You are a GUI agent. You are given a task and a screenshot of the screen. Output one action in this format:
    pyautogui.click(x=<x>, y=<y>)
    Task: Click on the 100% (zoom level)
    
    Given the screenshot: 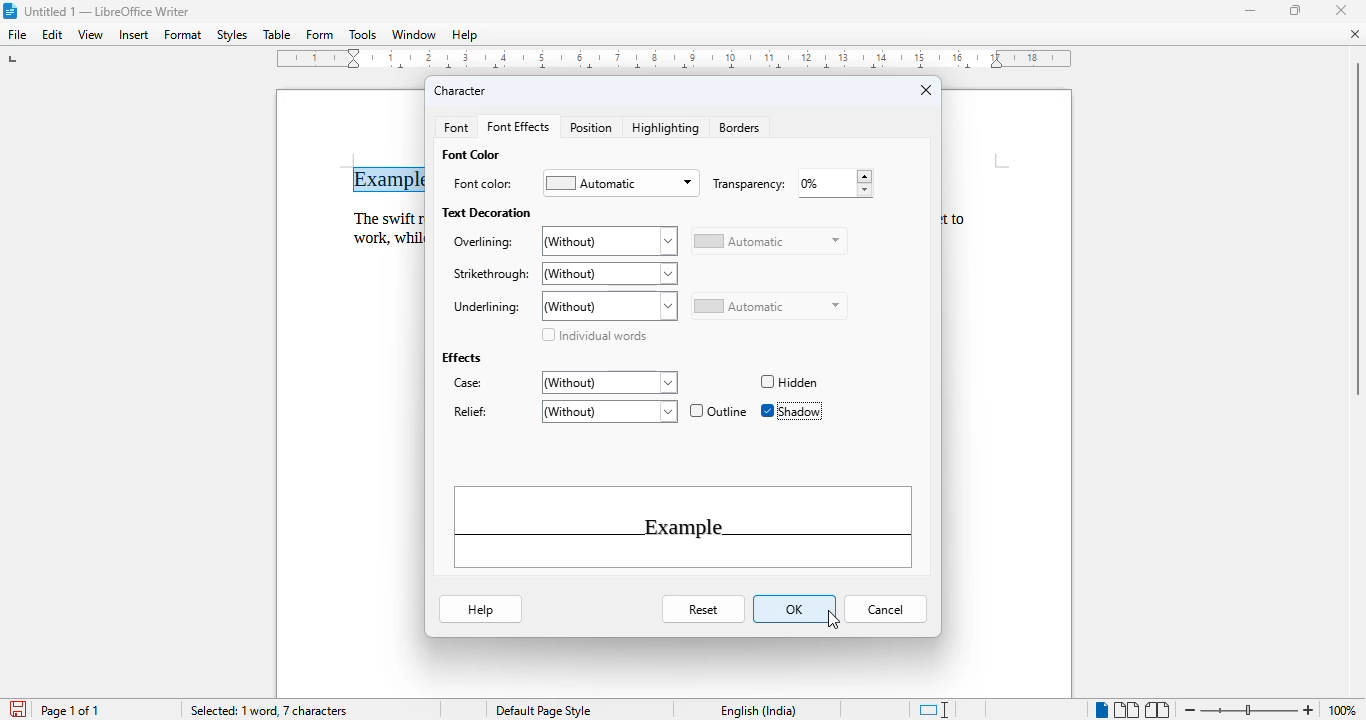 What is the action you would take?
    pyautogui.click(x=1344, y=710)
    